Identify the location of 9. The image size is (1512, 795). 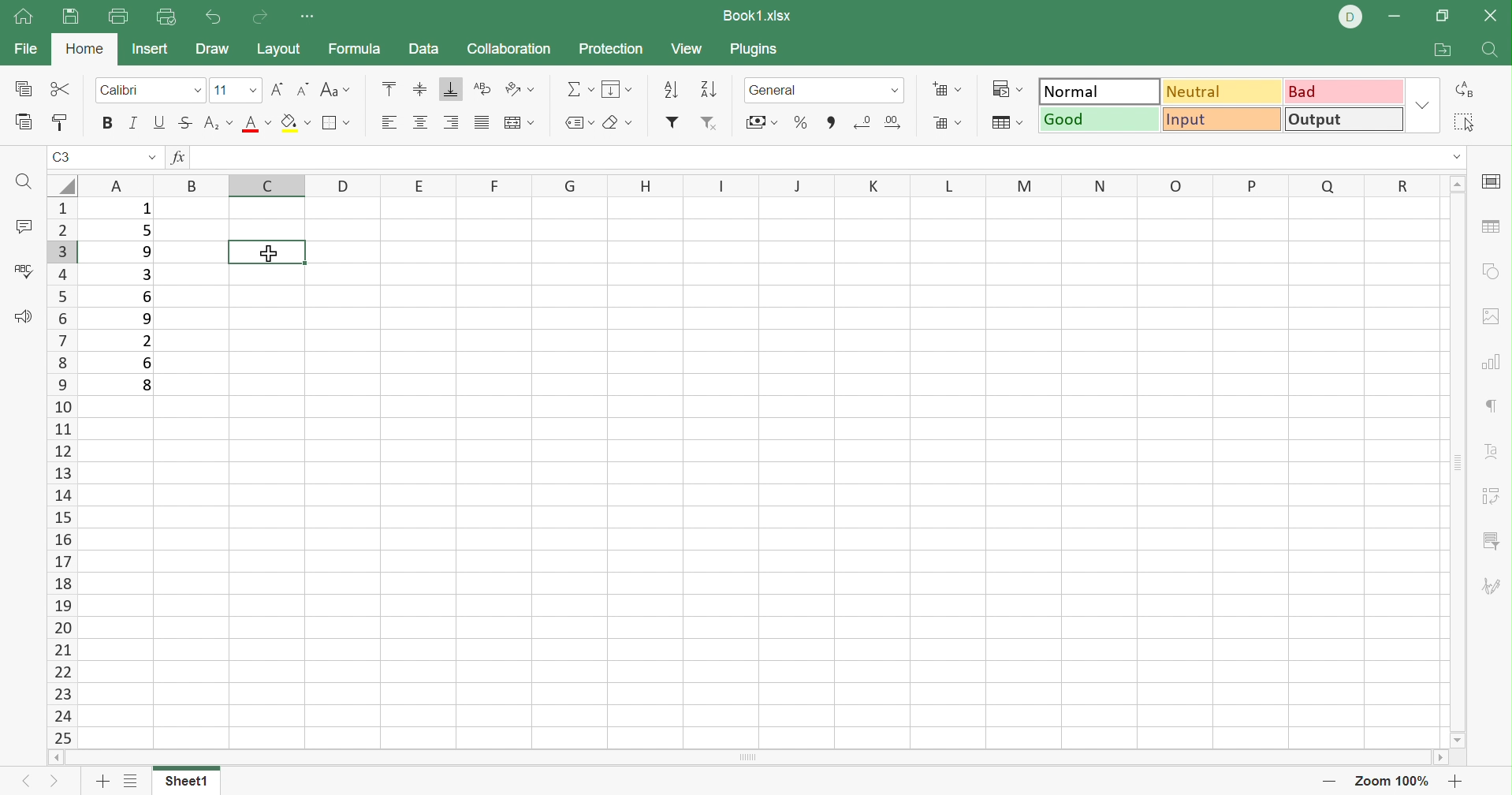
(140, 319).